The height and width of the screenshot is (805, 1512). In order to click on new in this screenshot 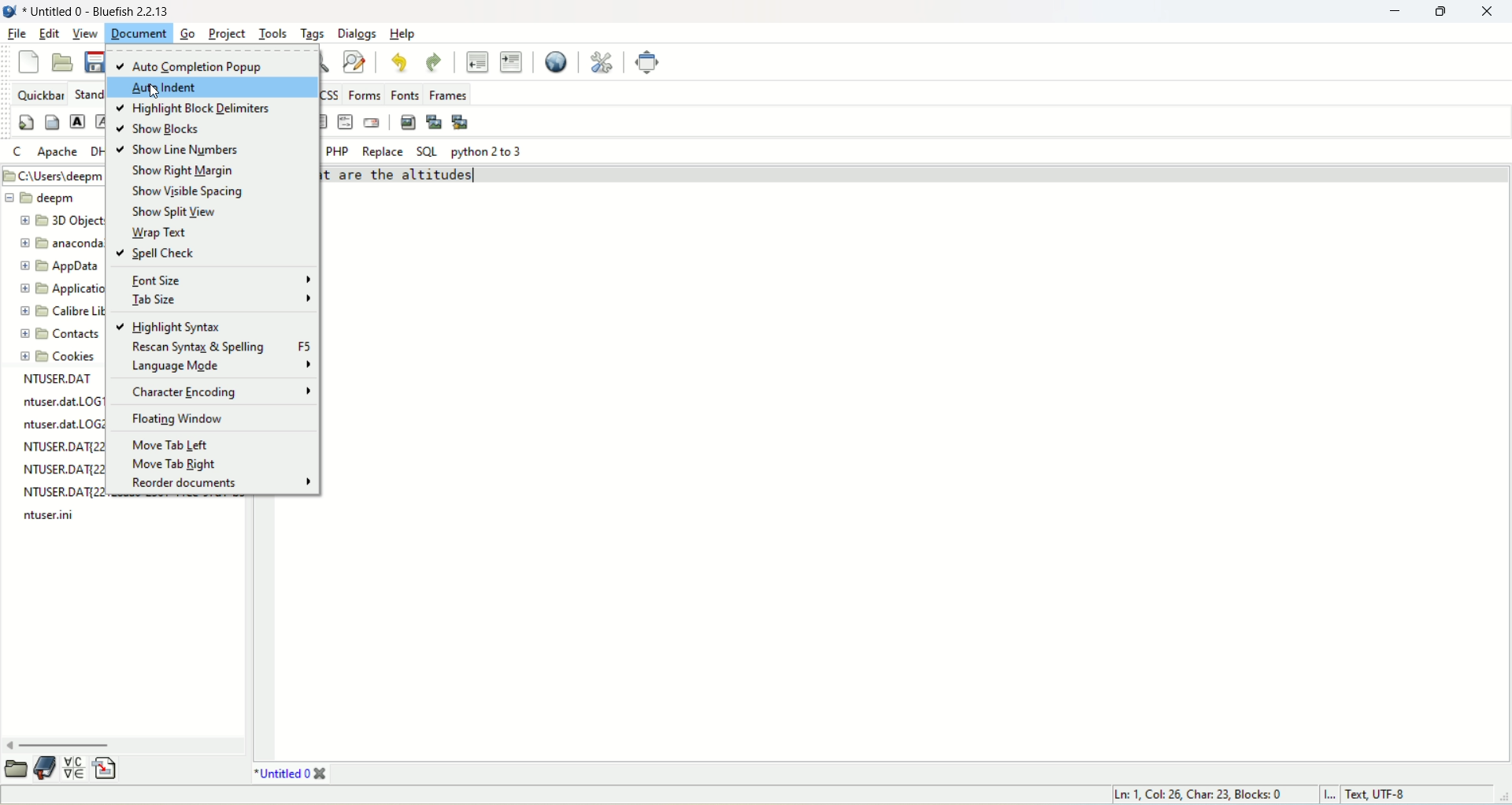, I will do `click(28, 62)`.